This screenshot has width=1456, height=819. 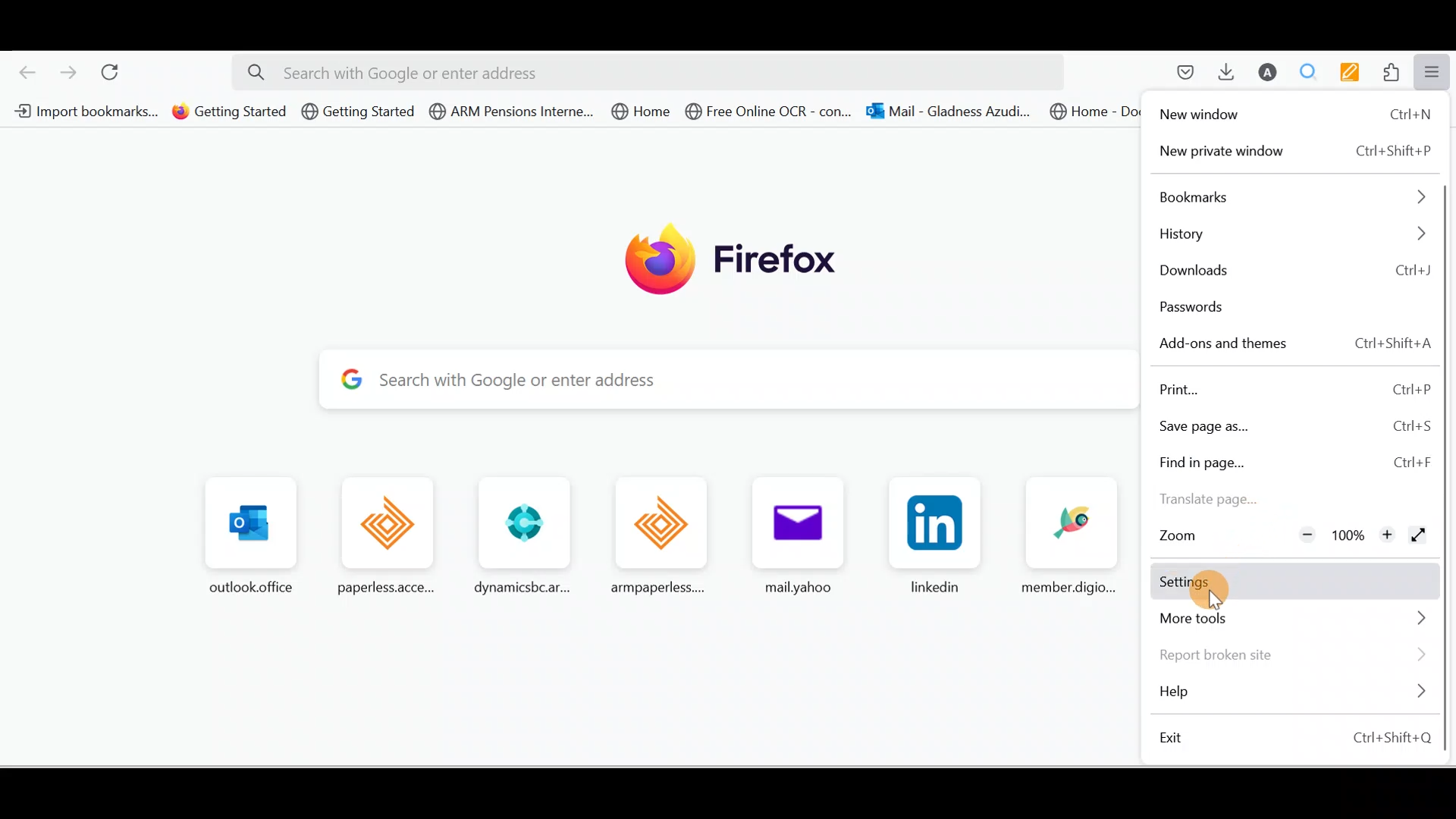 I want to click on Find in page  Ctrl+F, so click(x=1295, y=460).